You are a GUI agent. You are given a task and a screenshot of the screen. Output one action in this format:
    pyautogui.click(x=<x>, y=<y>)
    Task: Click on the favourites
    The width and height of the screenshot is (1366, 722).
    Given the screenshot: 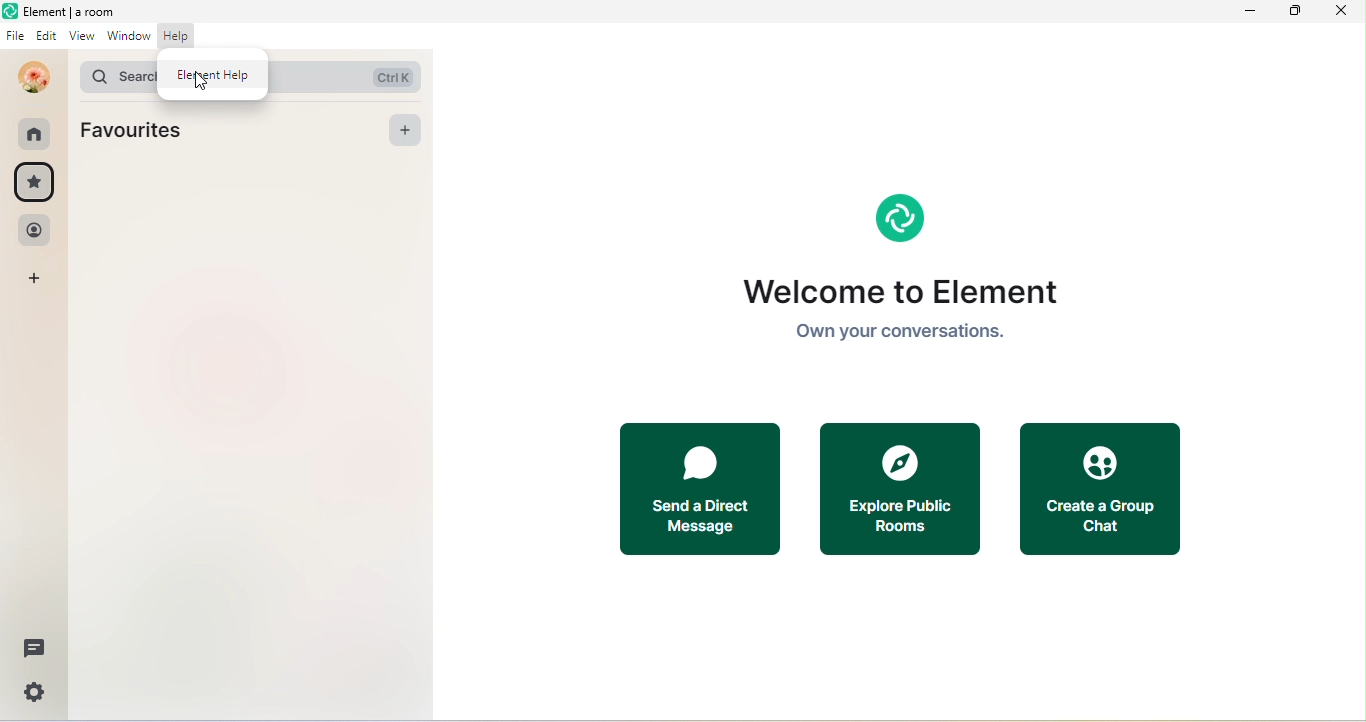 What is the action you would take?
    pyautogui.click(x=137, y=129)
    